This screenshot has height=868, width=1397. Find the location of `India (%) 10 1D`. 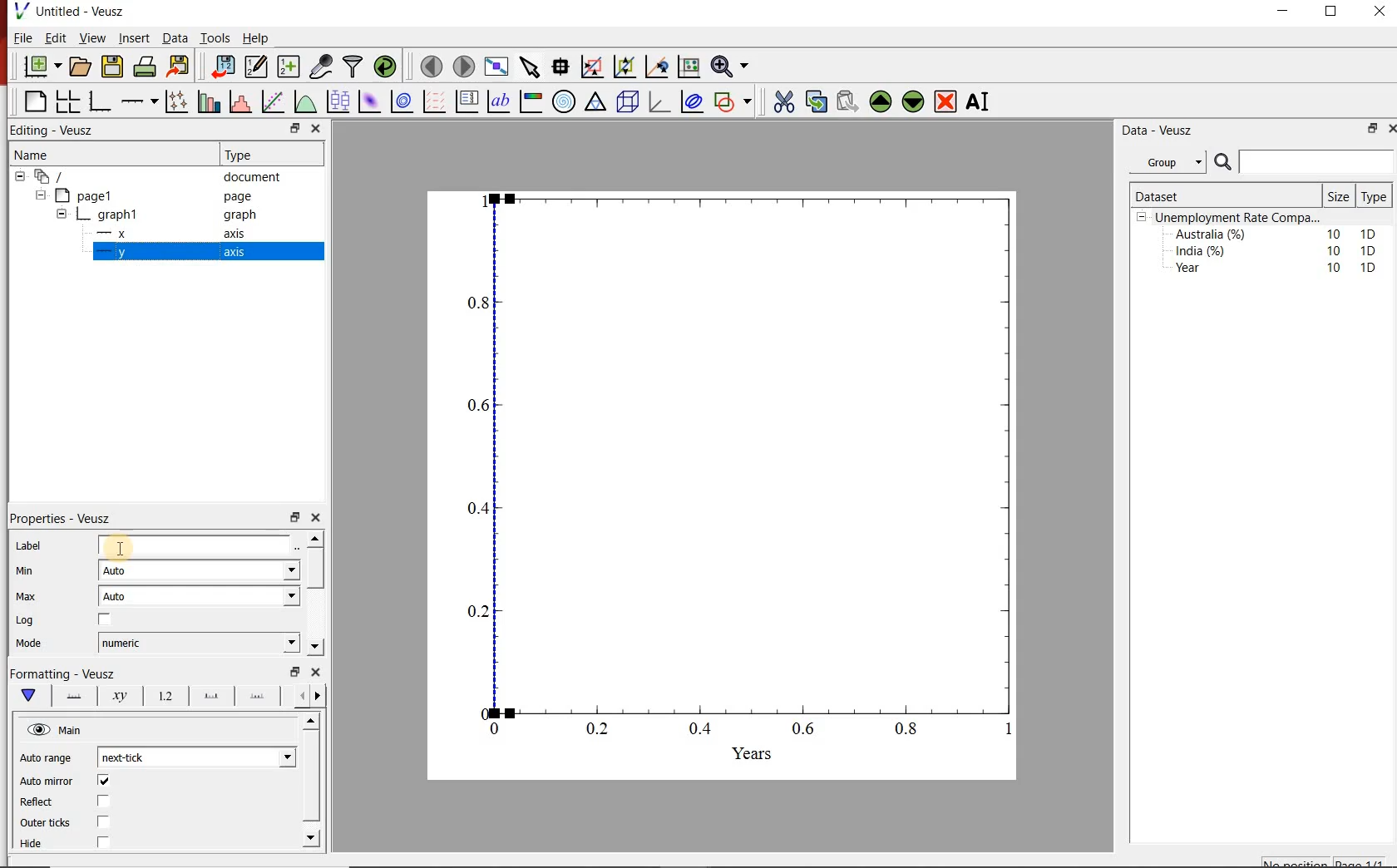

India (%) 10 1D is located at coordinates (1277, 250).